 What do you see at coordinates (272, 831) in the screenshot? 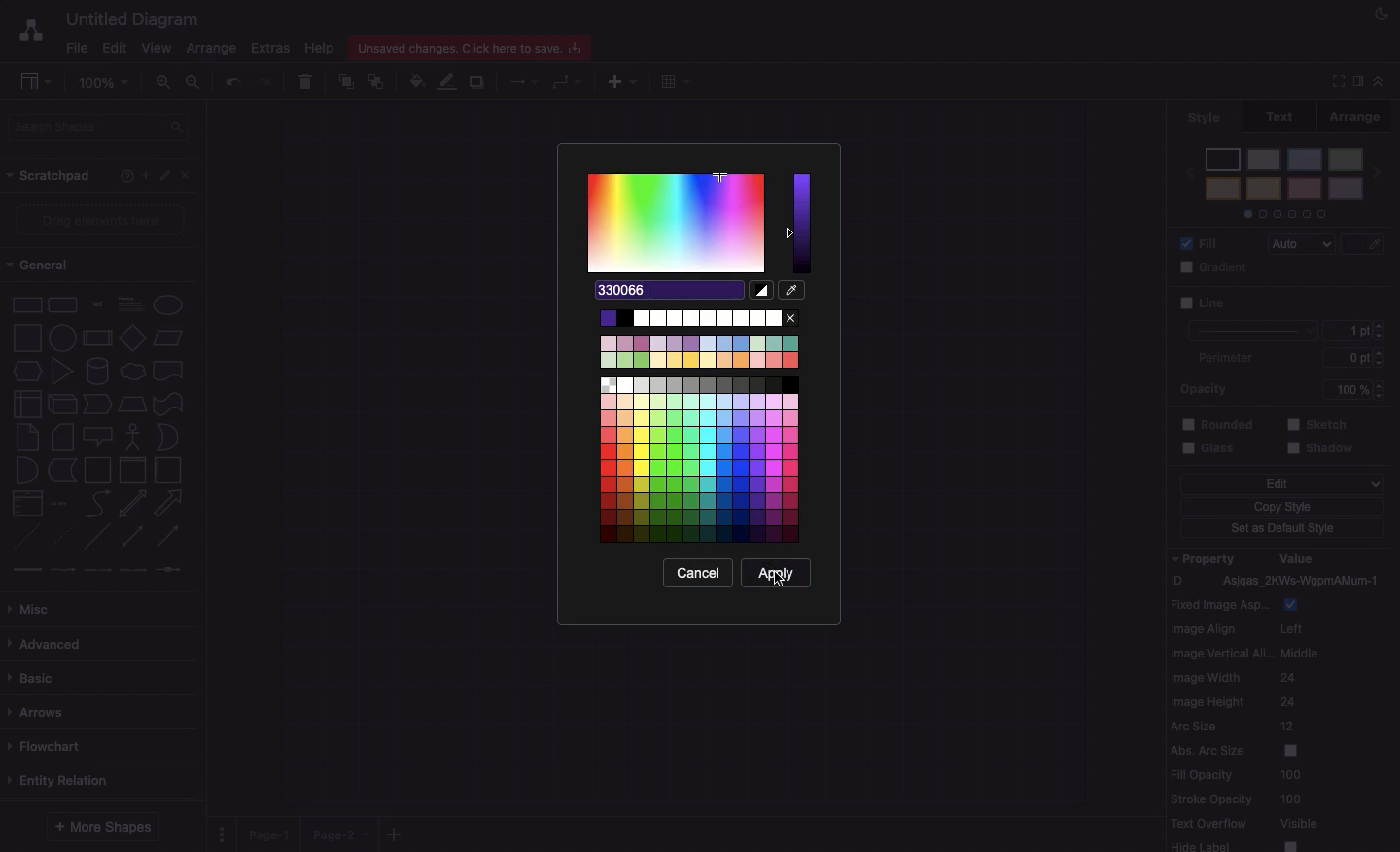
I see `Page 1` at bounding box center [272, 831].